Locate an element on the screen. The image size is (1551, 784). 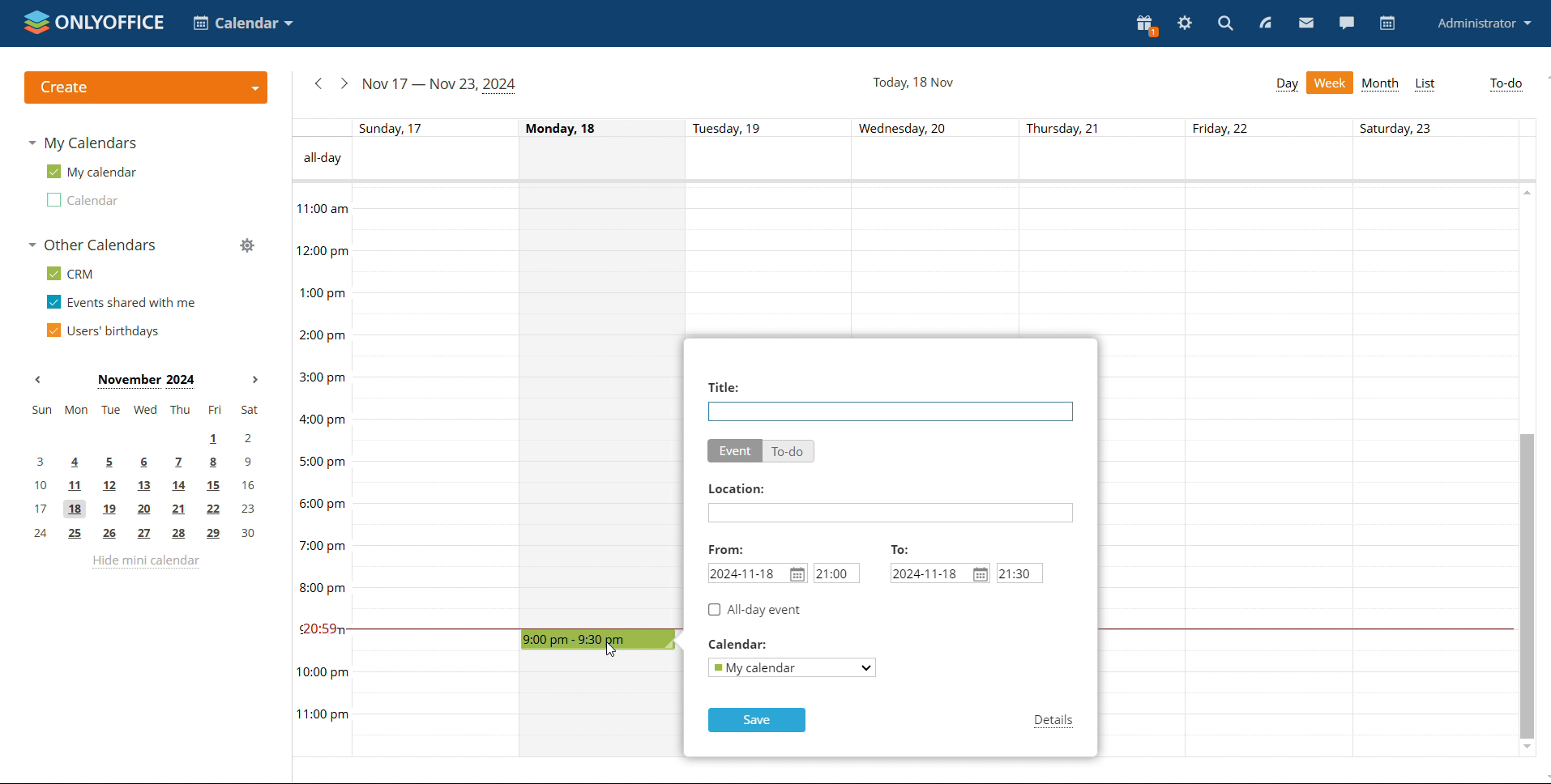
scroll up is located at coordinates (1527, 191).